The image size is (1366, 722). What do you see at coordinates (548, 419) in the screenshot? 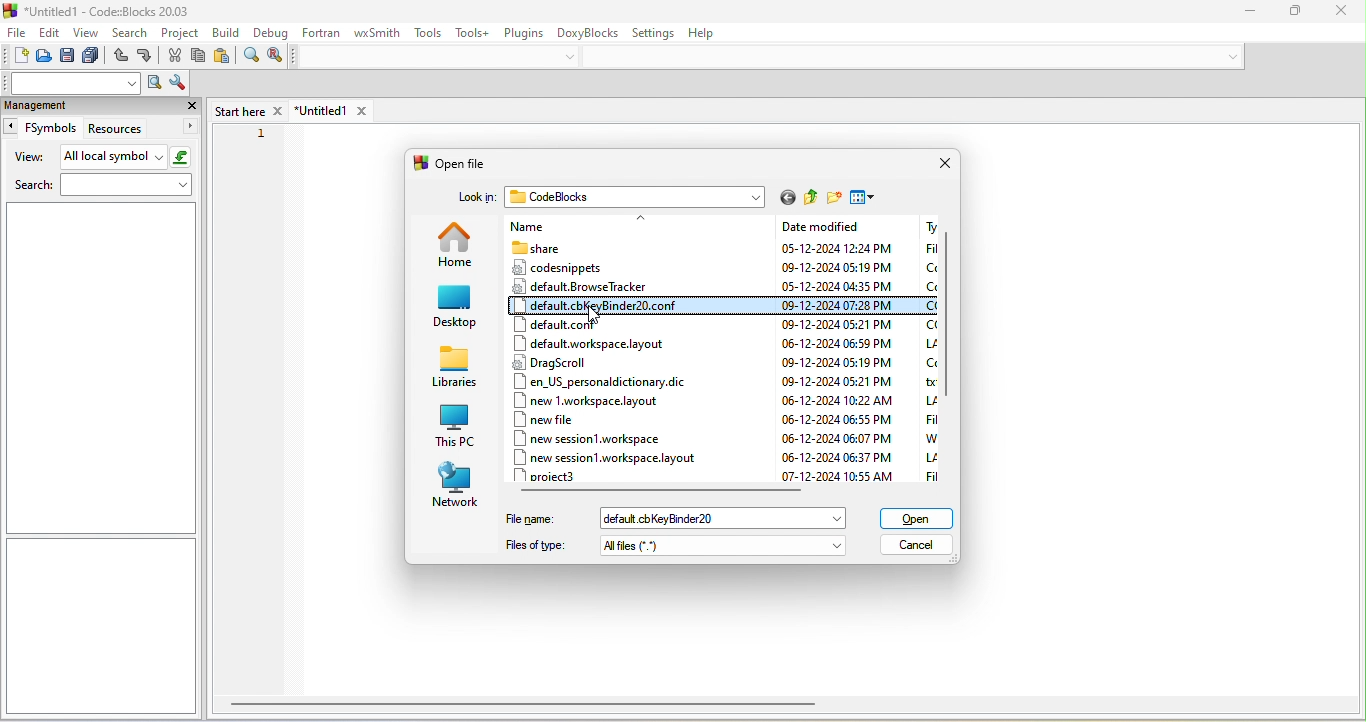
I see `new file` at bounding box center [548, 419].